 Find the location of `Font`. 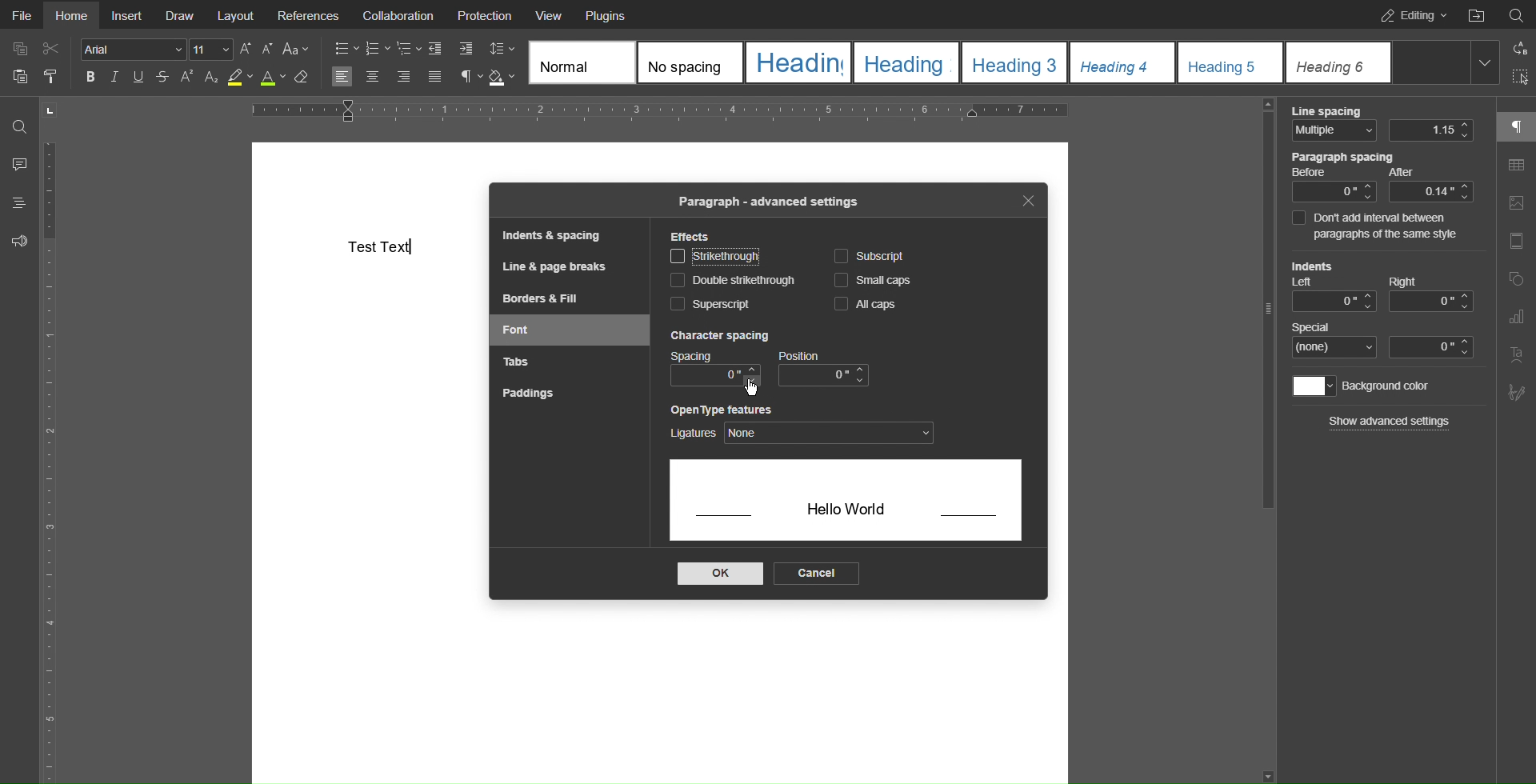

Font is located at coordinates (518, 330).